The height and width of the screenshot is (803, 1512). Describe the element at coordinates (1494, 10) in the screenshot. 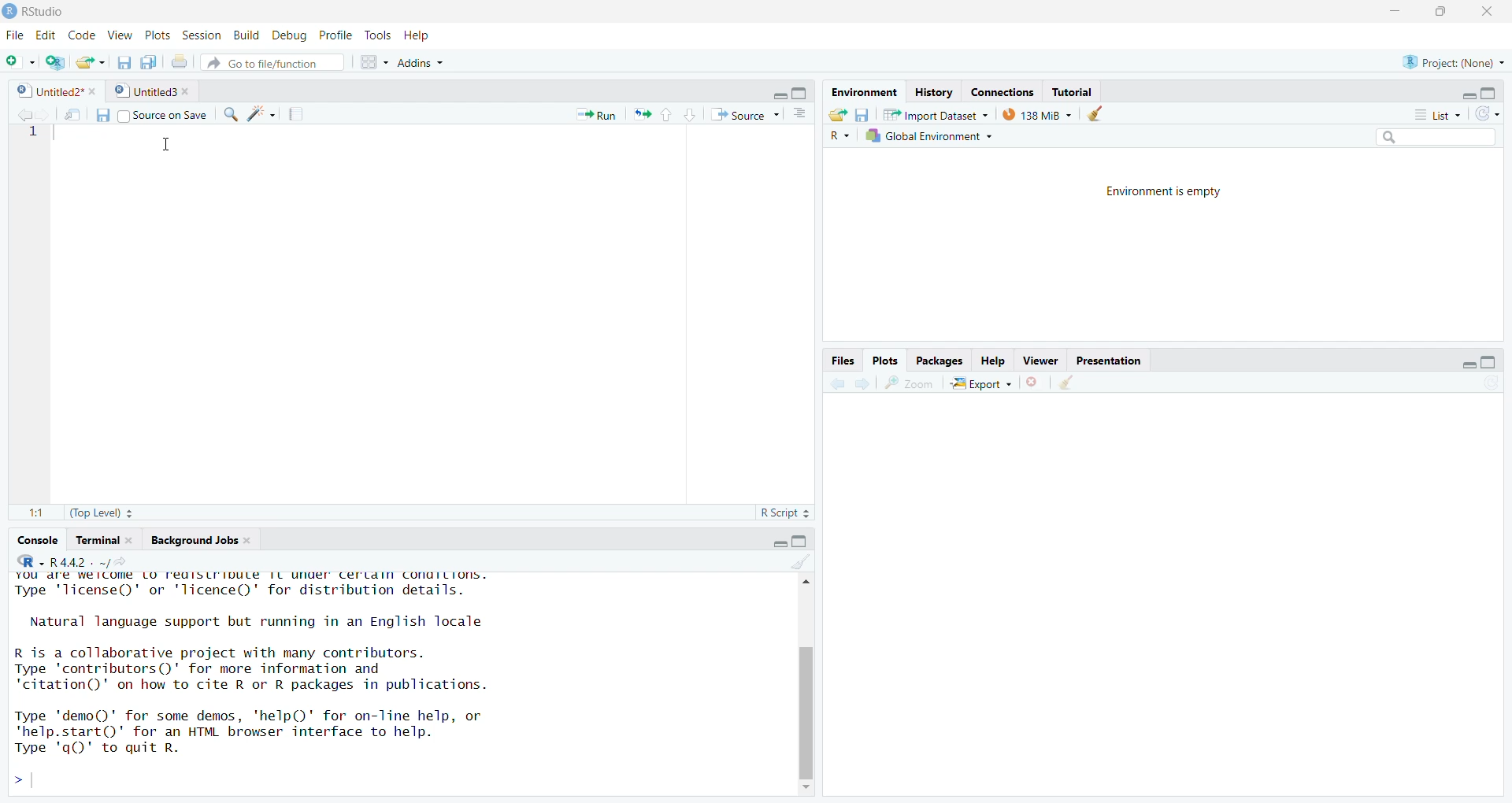

I see `Close` at that location.